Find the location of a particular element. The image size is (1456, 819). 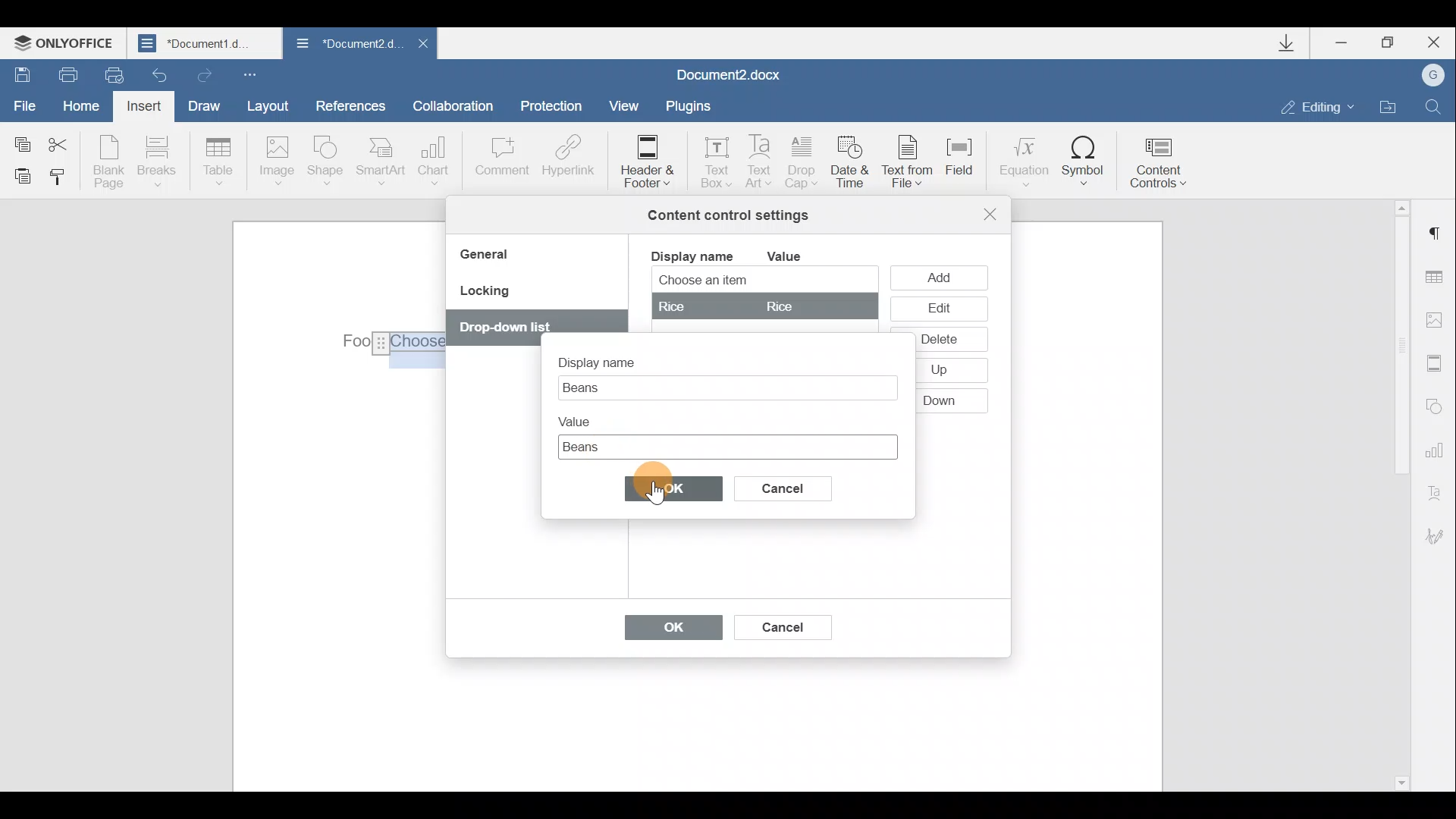

Editing mode is located at coordinates (1318, 106).